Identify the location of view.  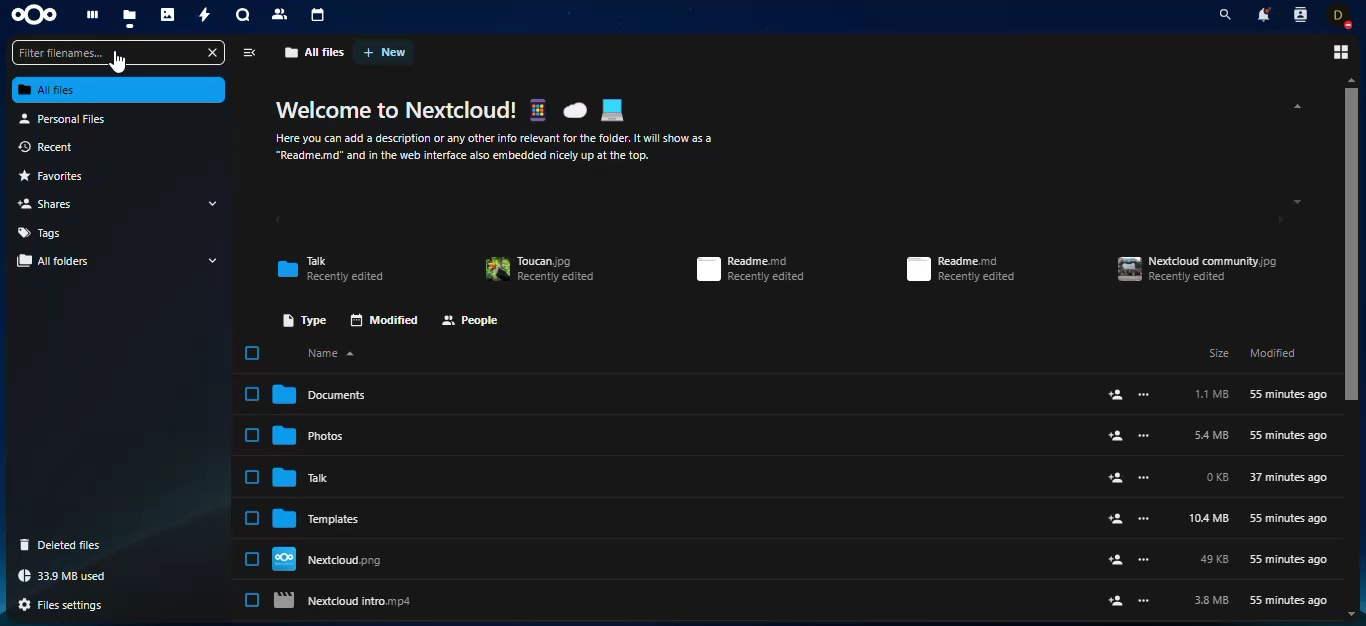
(1338, 52).